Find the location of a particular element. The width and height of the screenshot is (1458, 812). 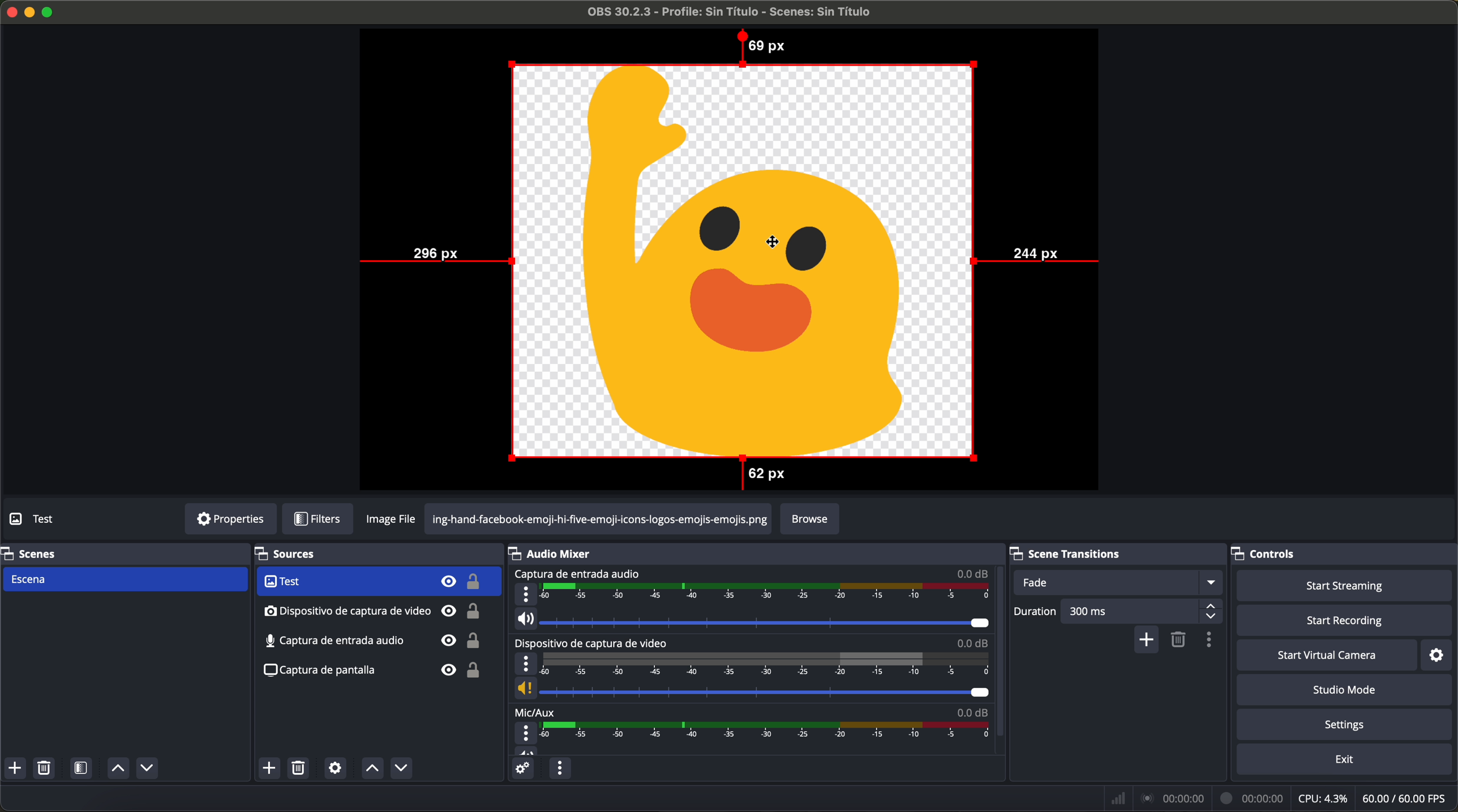

remove selected source is located at coordinates (301, 768).